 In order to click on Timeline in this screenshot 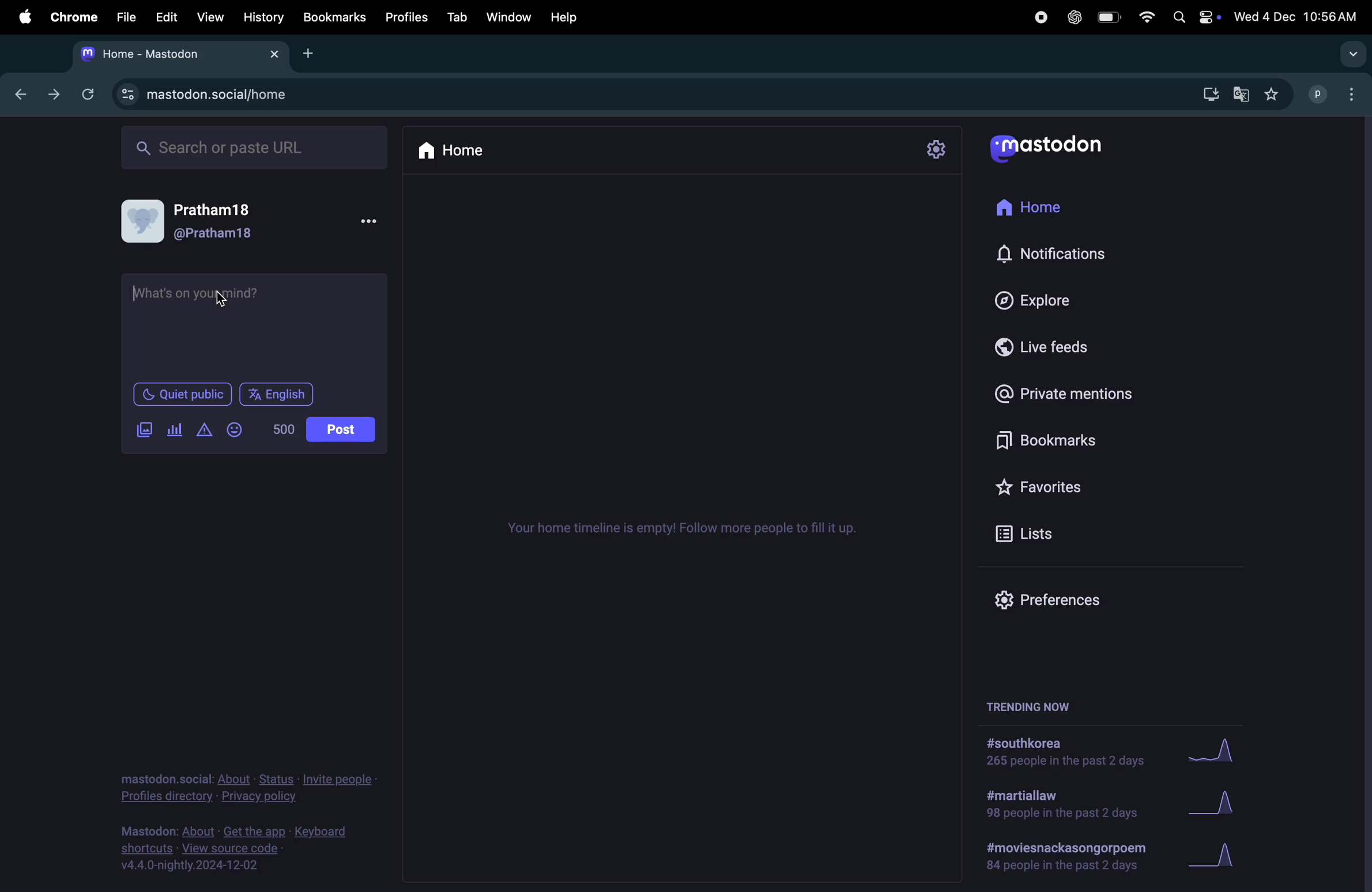, I will do `click(687, 530)`.